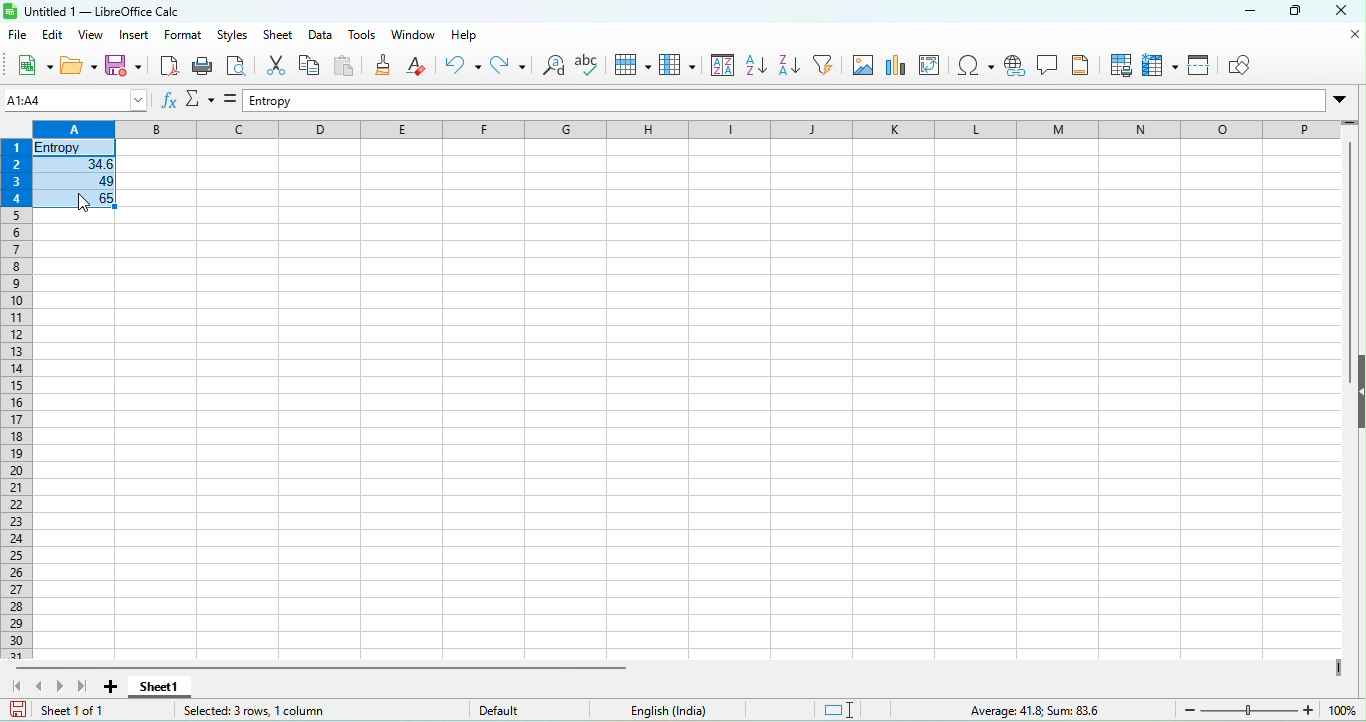  Describe the element at coordinates (233, 100) in the screenshot. I see `formula` at that location.